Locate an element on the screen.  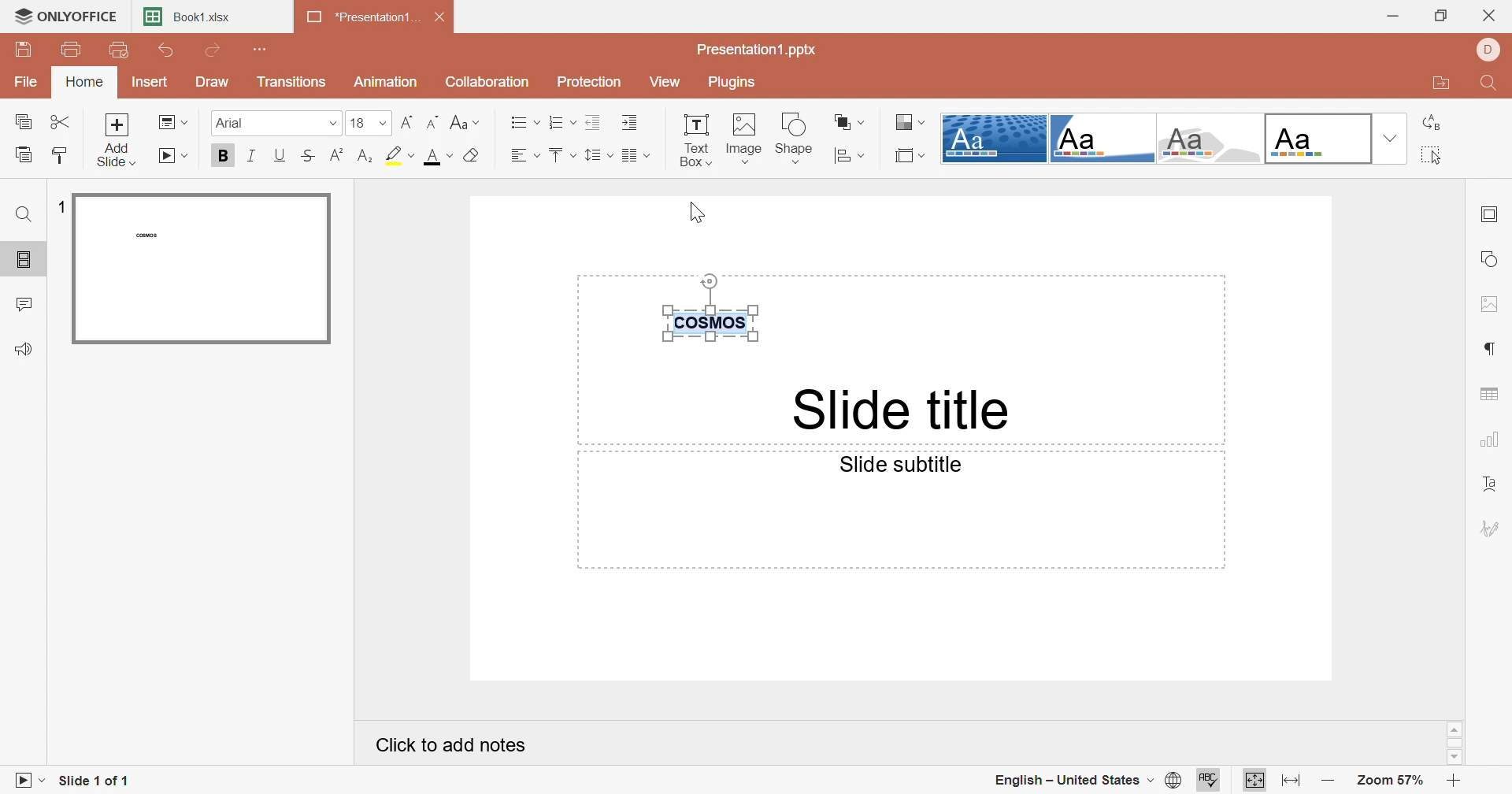
Decrement font size is located at coordinates (434, 124).